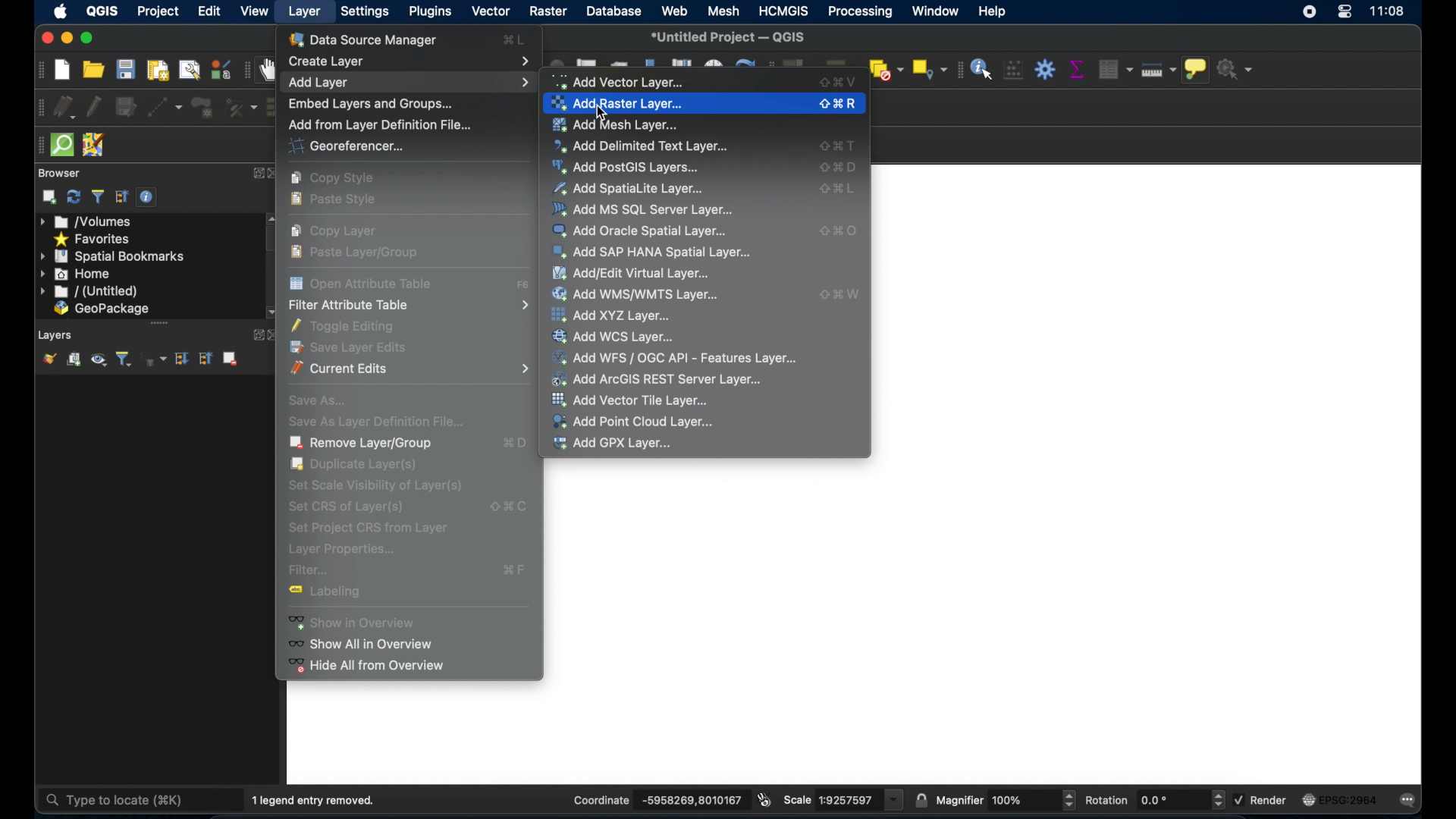  I want to click on hand, so click(270, 69).